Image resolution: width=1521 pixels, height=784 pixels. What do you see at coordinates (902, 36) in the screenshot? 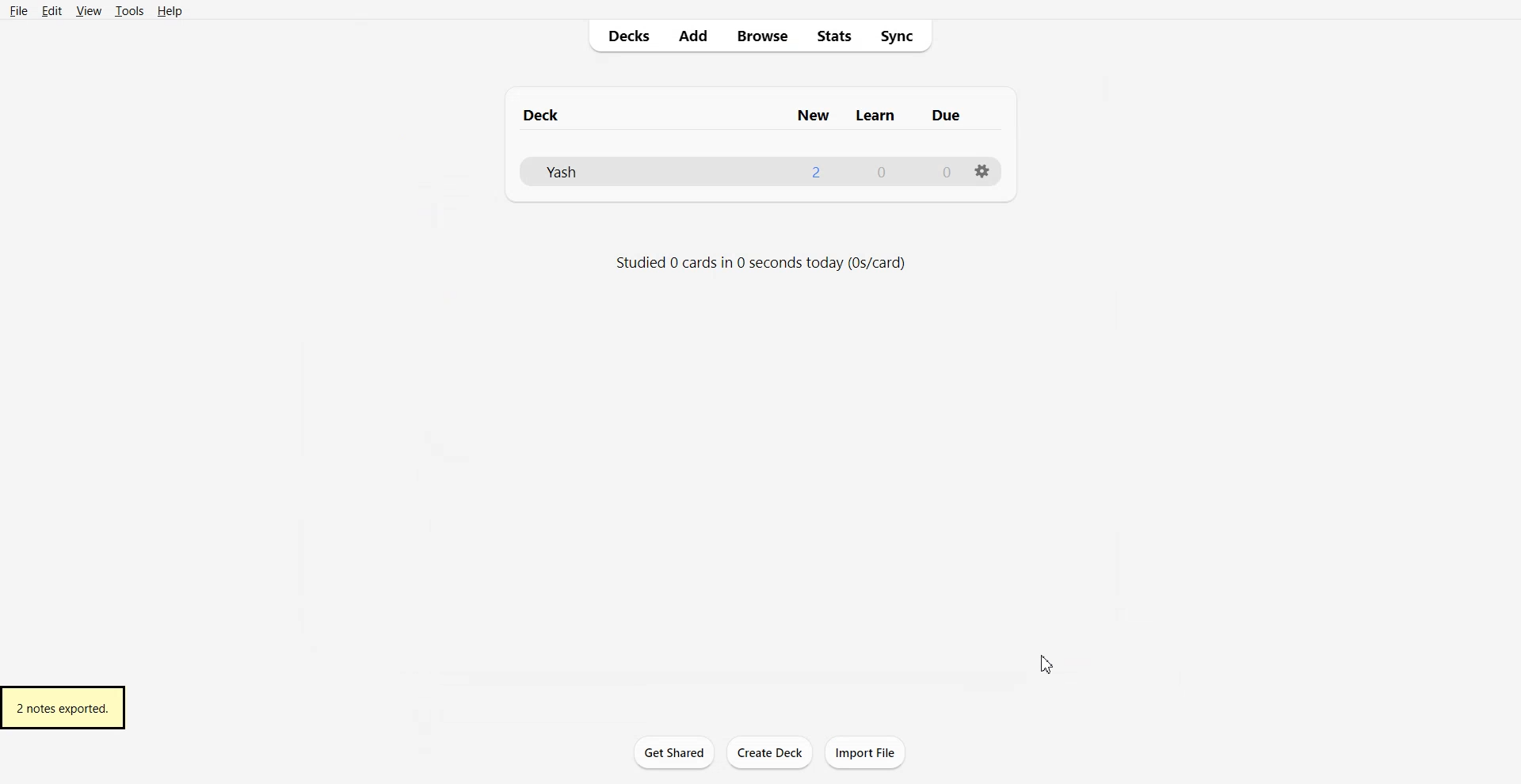
I see `Sync` at bounding box center [902, 36].